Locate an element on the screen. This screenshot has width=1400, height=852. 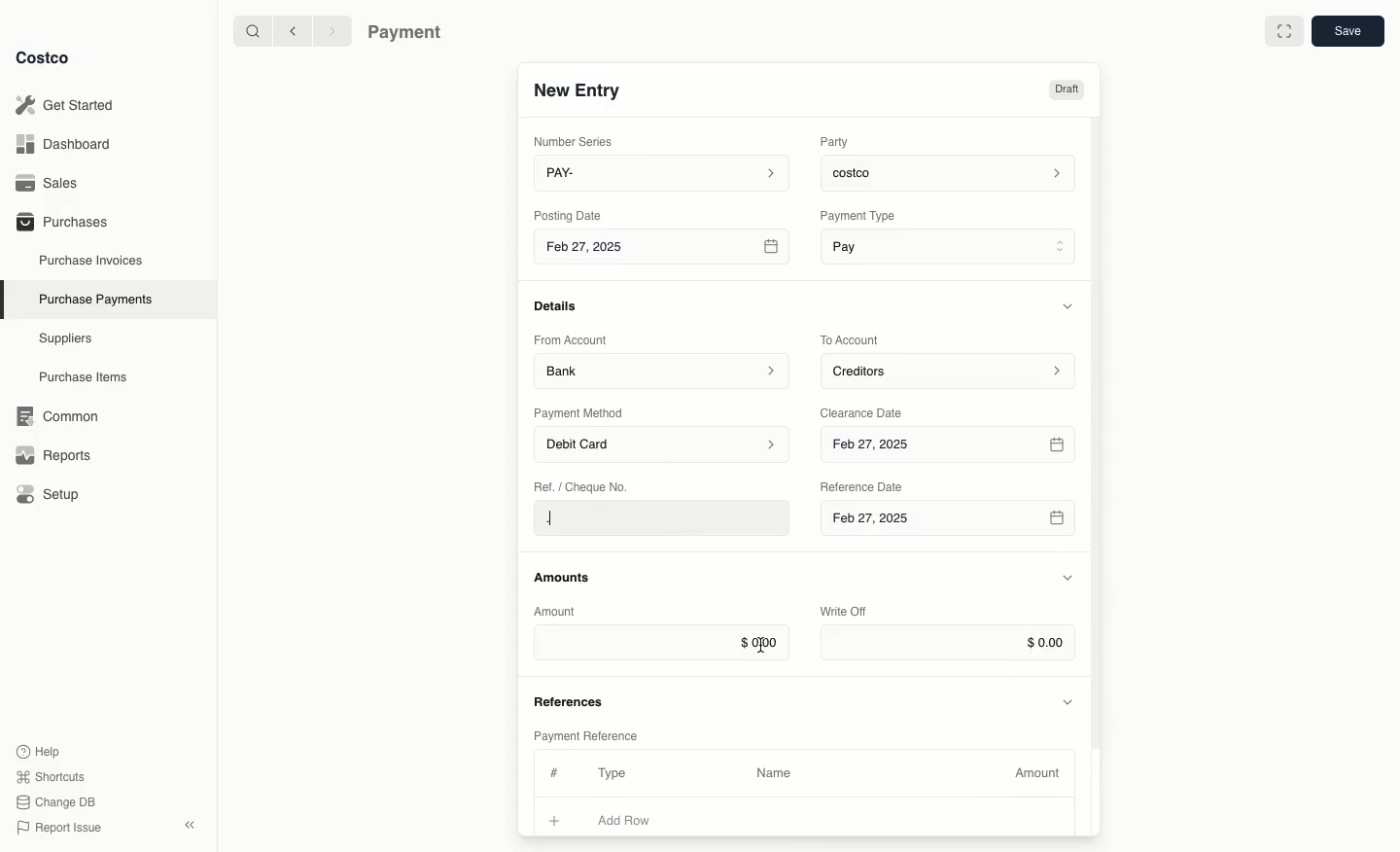
Get Started is located at coordinates (69, 105).